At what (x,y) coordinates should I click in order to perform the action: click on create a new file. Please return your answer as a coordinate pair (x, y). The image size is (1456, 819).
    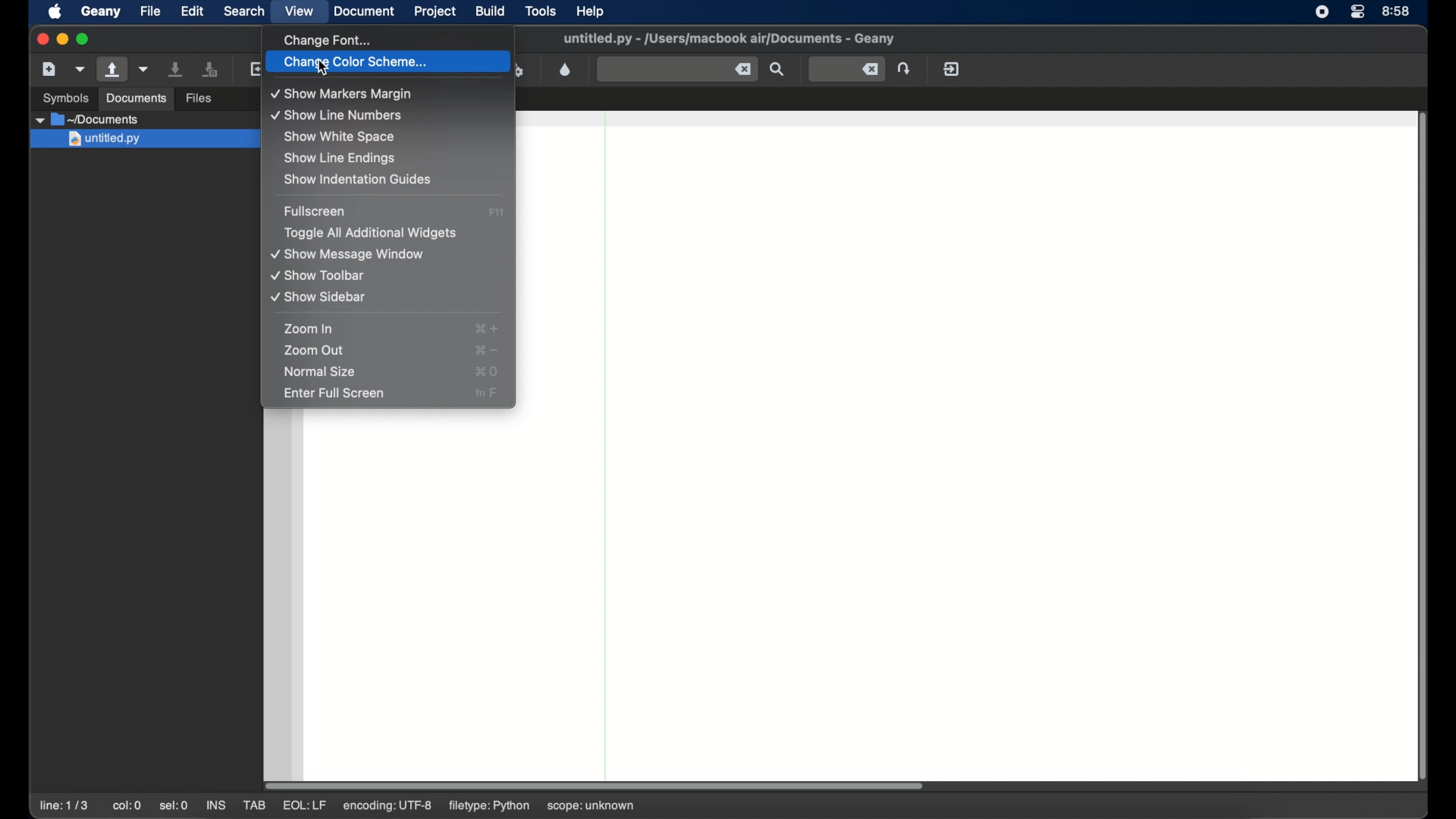
    Looking at the image, I should click on (49, 68).